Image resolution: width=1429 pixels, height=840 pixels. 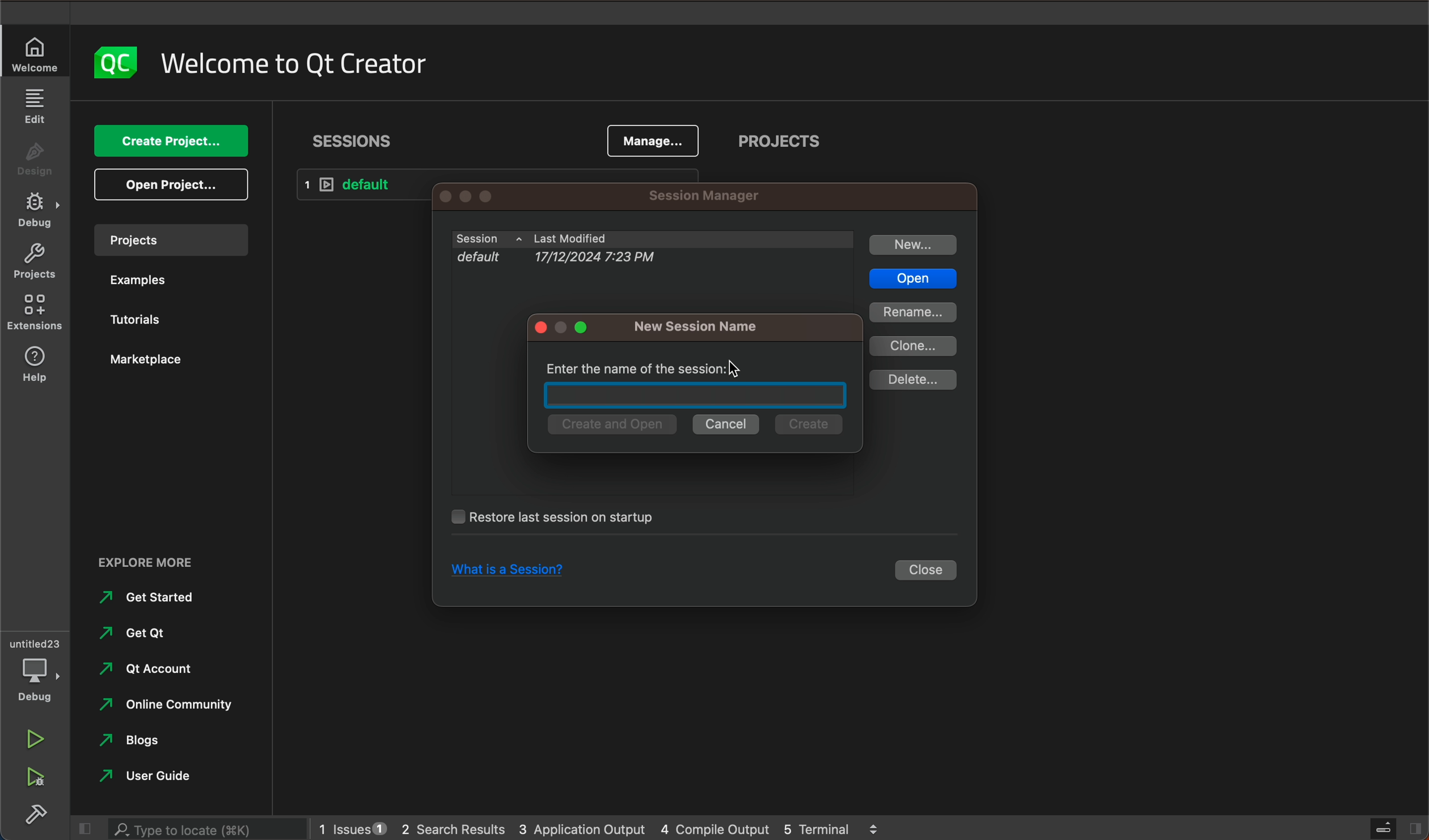 What do you see at coordinates (781, 145) in the screenshot?
I see `projects` at bounding box center [781, 145].